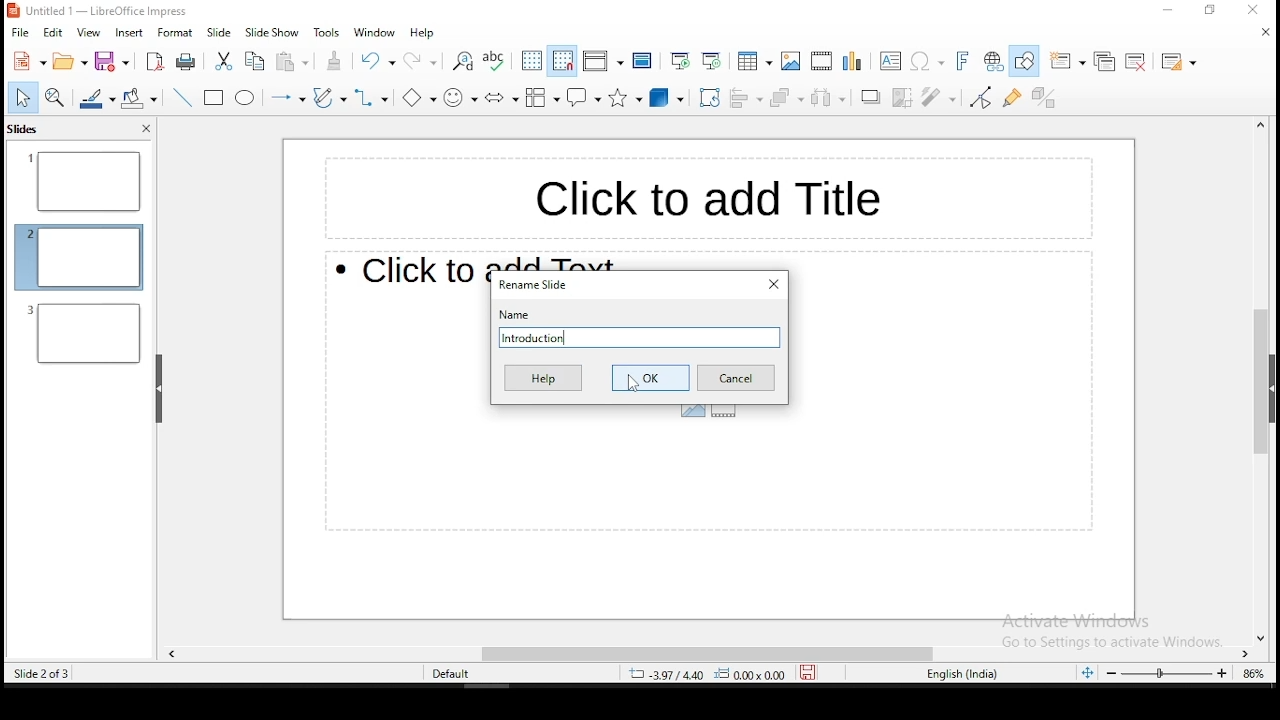 The width and height of the screenshot is (1280, 720). Describe the element at coordinates (812, 672) in the screenshot. I see `save` at that location.